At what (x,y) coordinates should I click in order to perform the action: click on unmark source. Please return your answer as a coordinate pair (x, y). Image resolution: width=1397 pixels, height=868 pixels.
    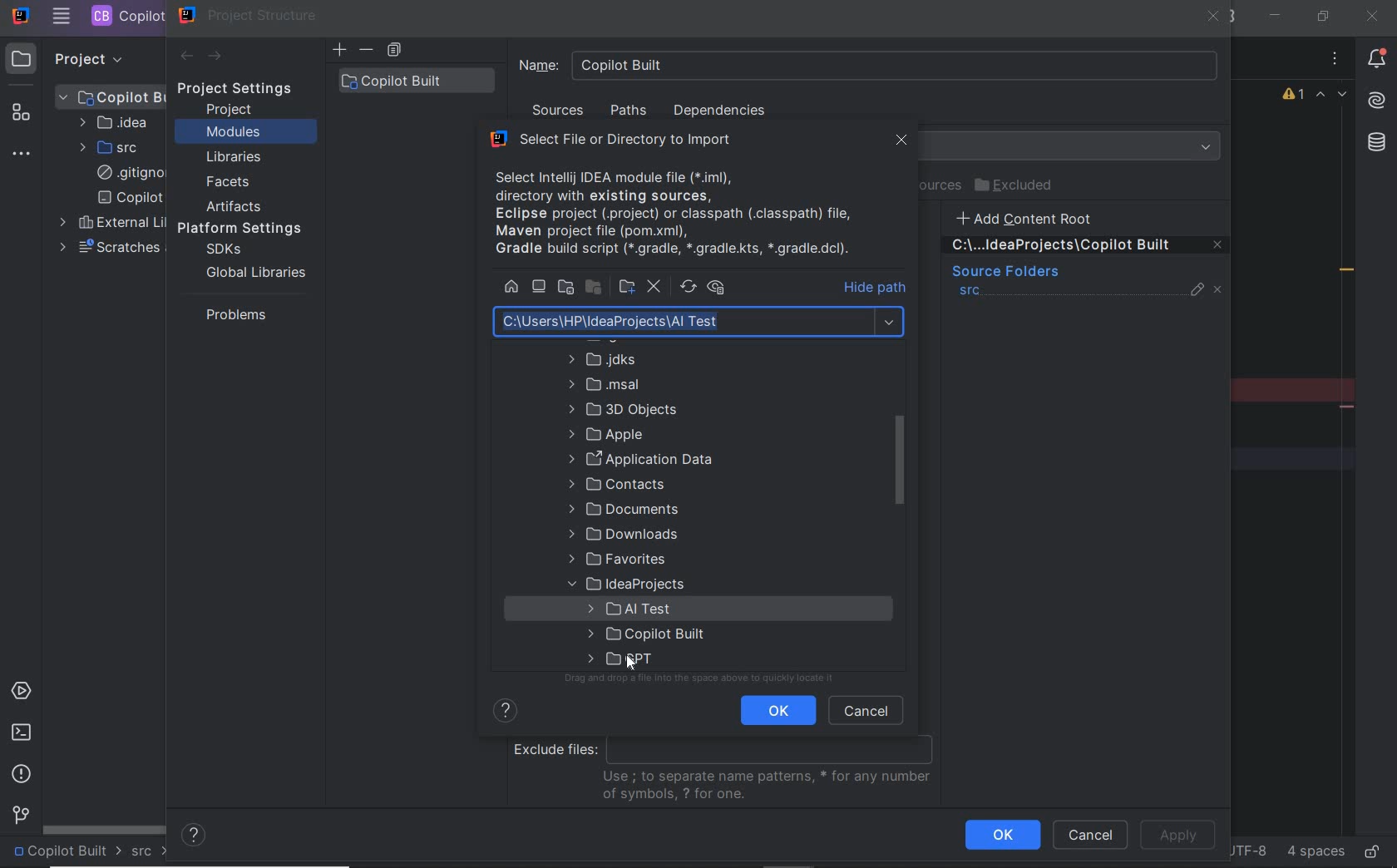
    Looking at the image, I should click on (1221, 290).